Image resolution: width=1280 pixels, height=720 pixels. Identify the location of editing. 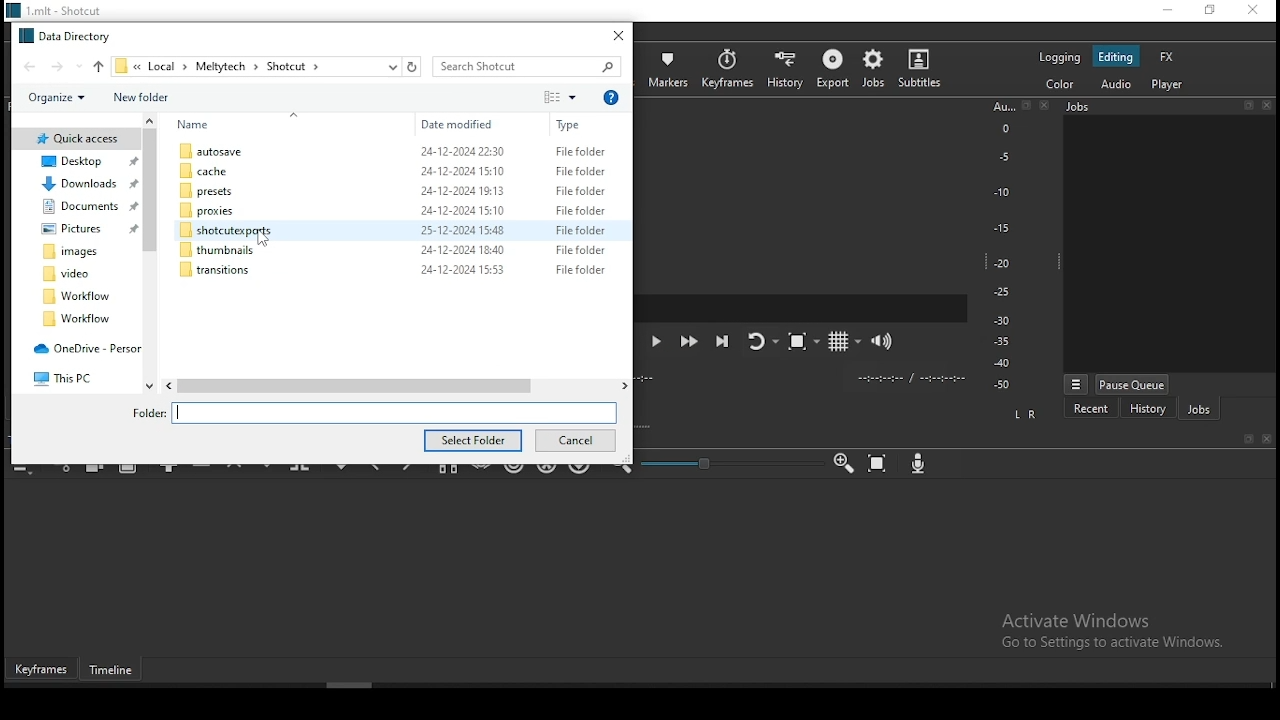
(1119, 57).